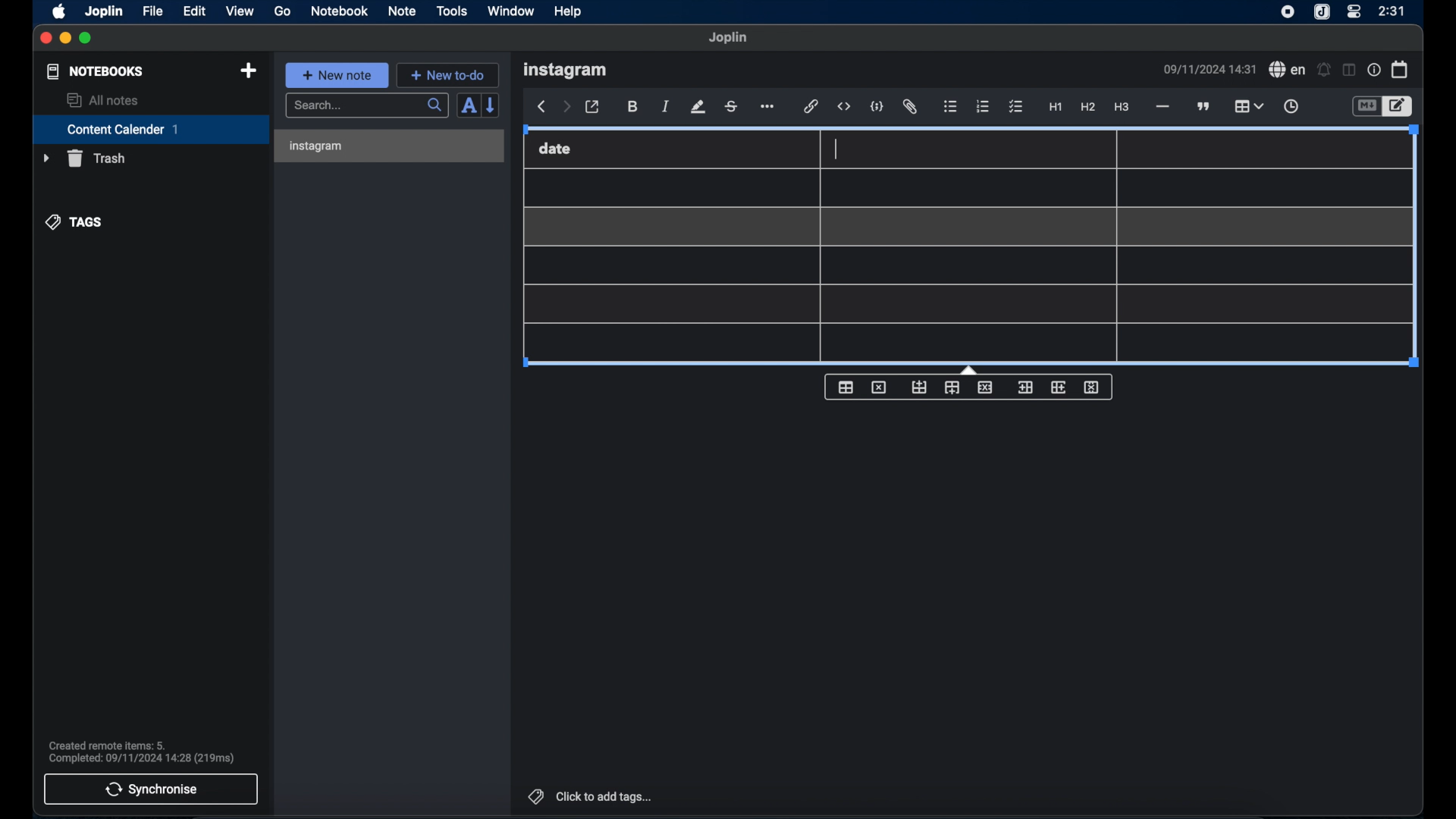 The image size is (1456, 819). What do you see at coordinates (556, 149) in the screenshot?
I see `date` at bounding box center [556, 149].